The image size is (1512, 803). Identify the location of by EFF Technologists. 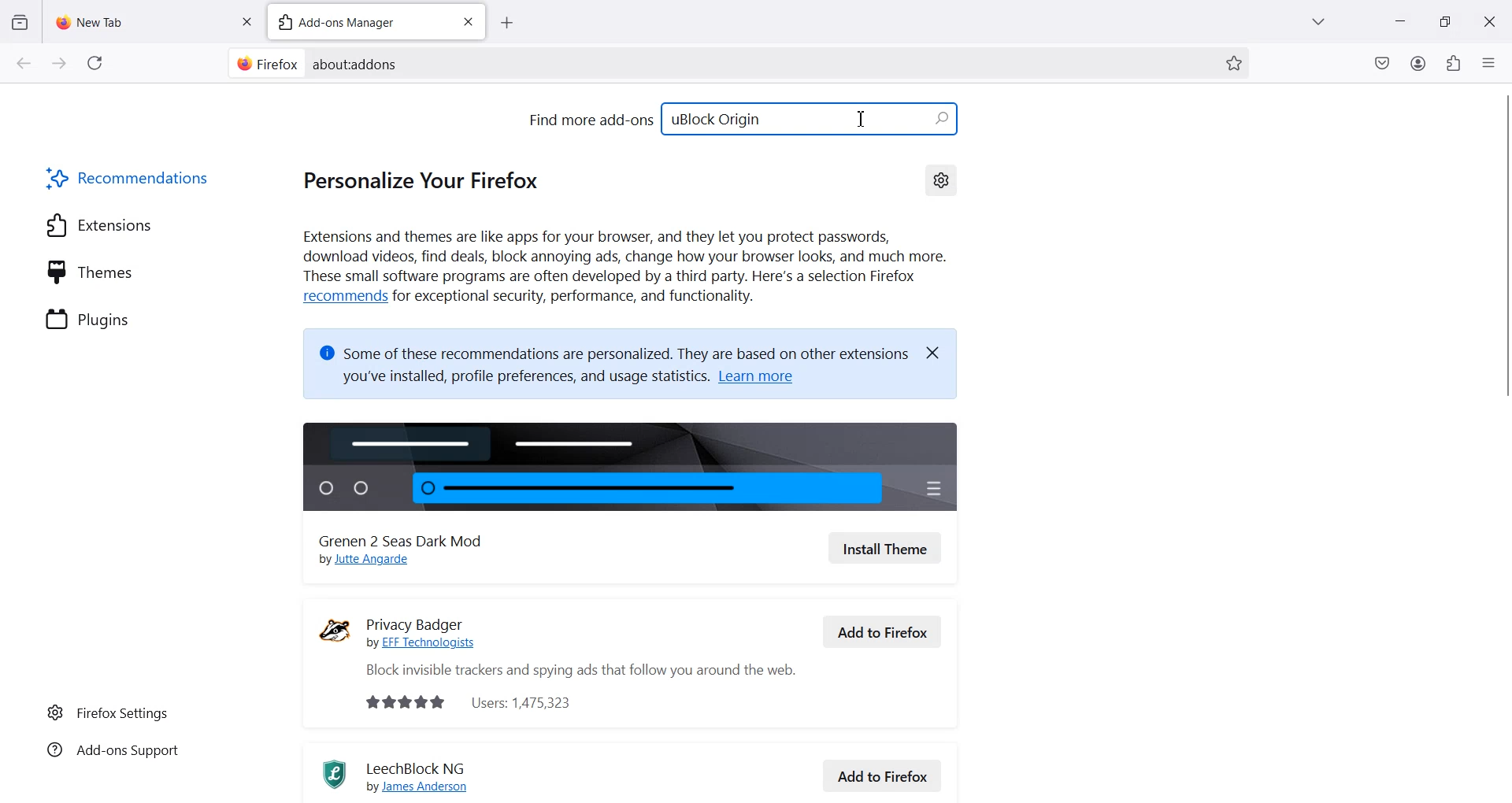
(428, 643).